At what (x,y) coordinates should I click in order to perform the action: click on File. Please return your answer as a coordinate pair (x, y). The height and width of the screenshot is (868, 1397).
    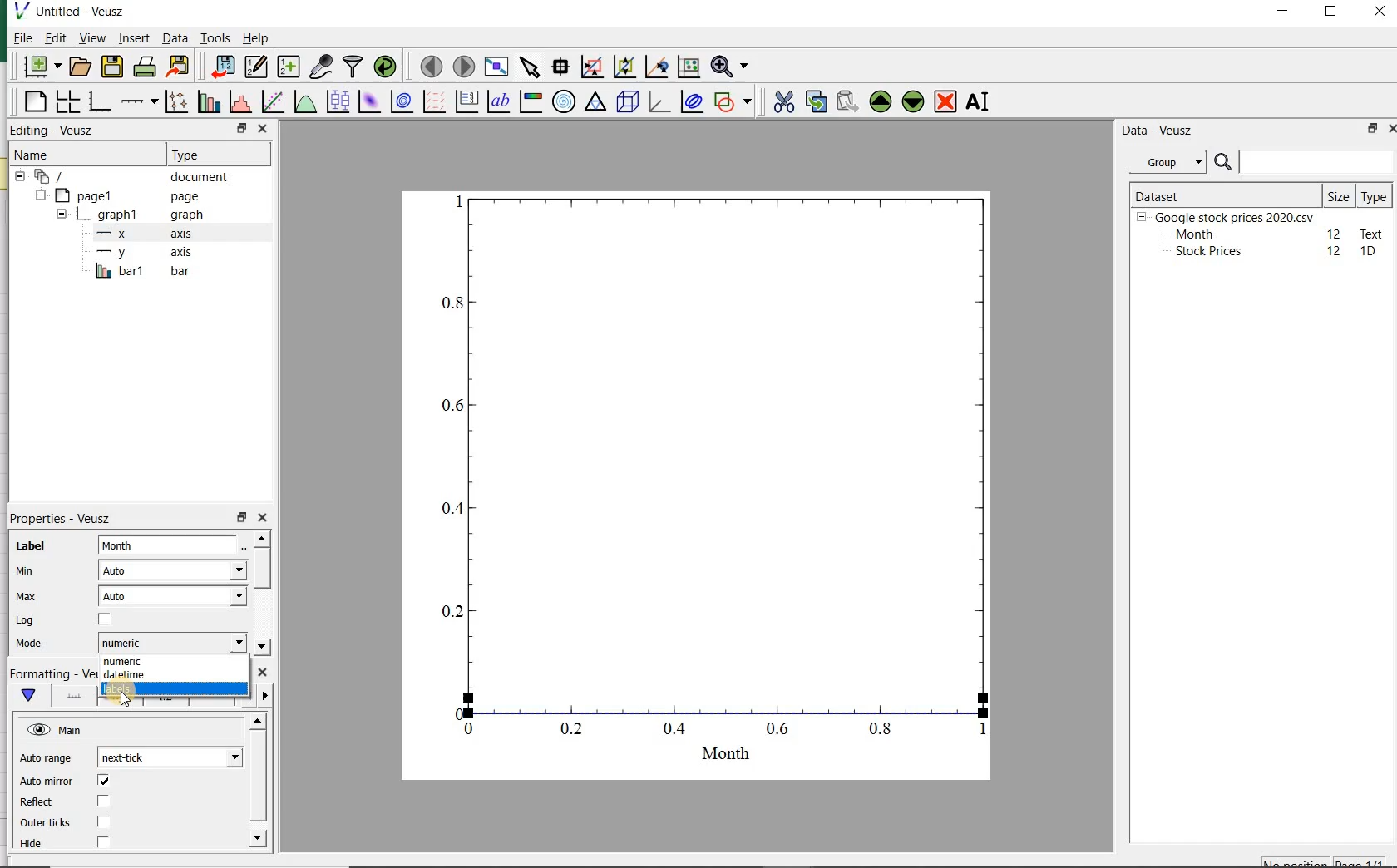
    Looking at the image, I should click on (18, 40).